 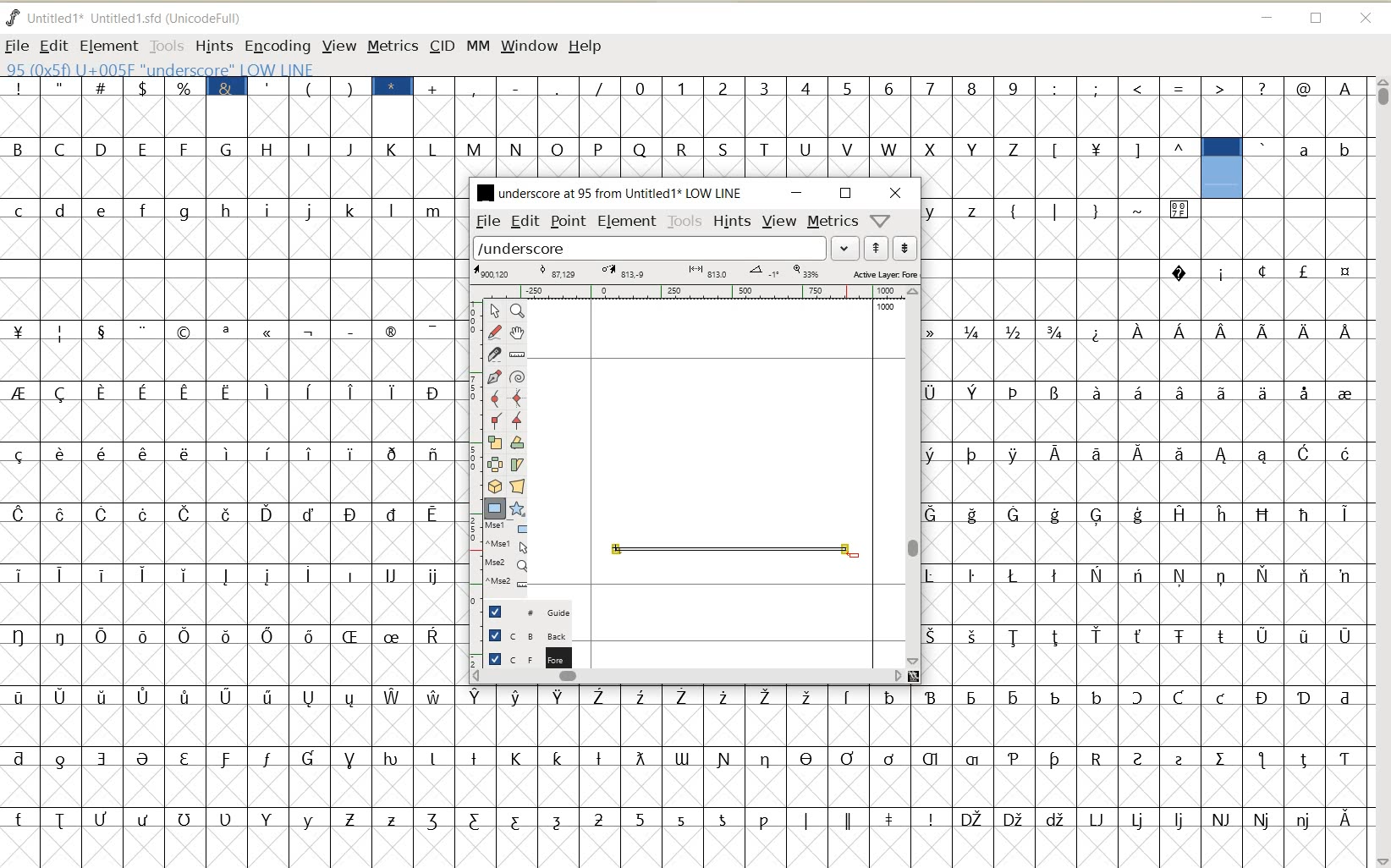 What do you see at coordinates (525, 610) in the screenshot?
I see `GUIDE` at bounding box center [525, 610].